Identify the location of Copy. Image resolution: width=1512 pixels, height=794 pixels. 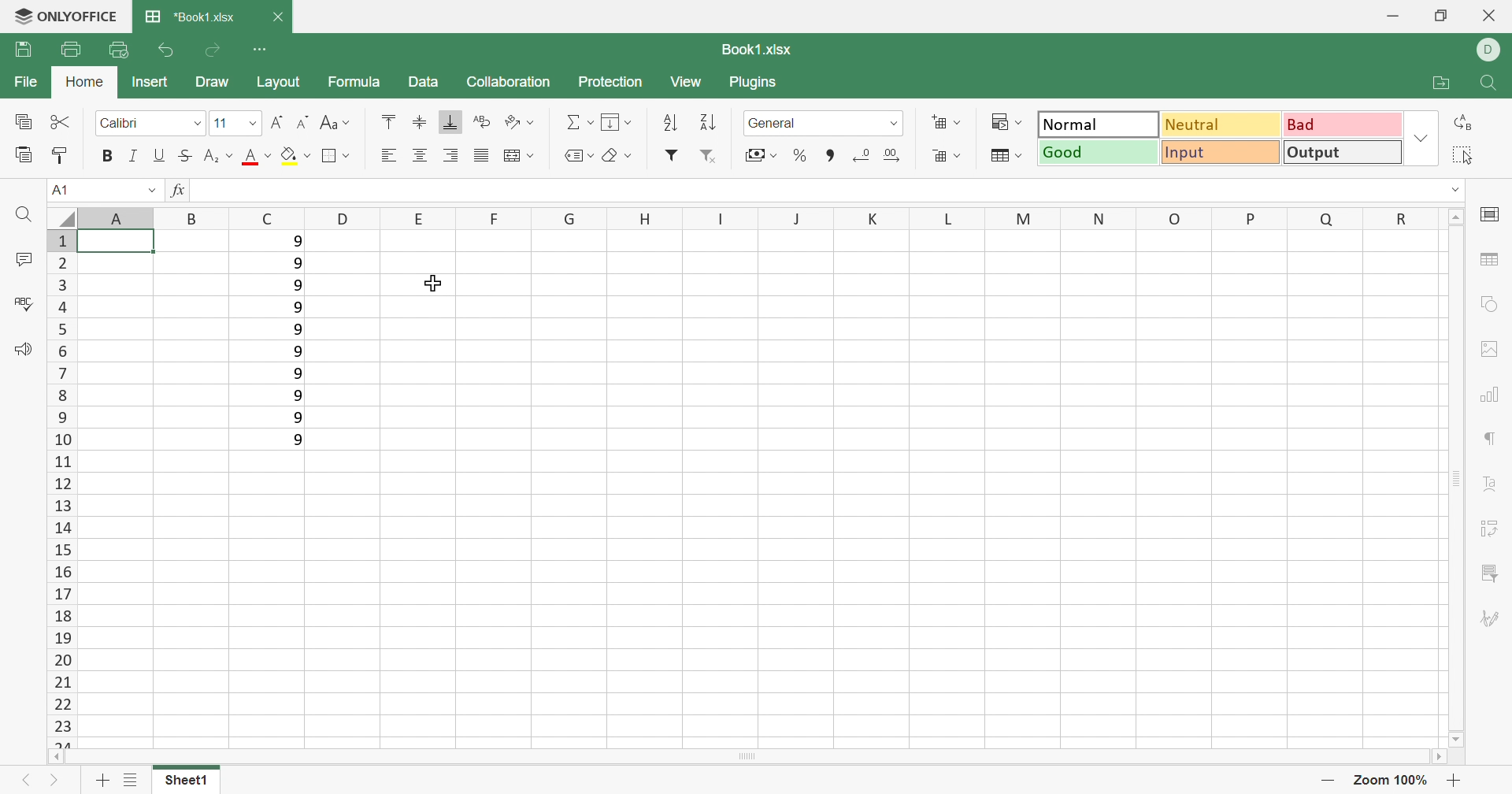
(25, 123).